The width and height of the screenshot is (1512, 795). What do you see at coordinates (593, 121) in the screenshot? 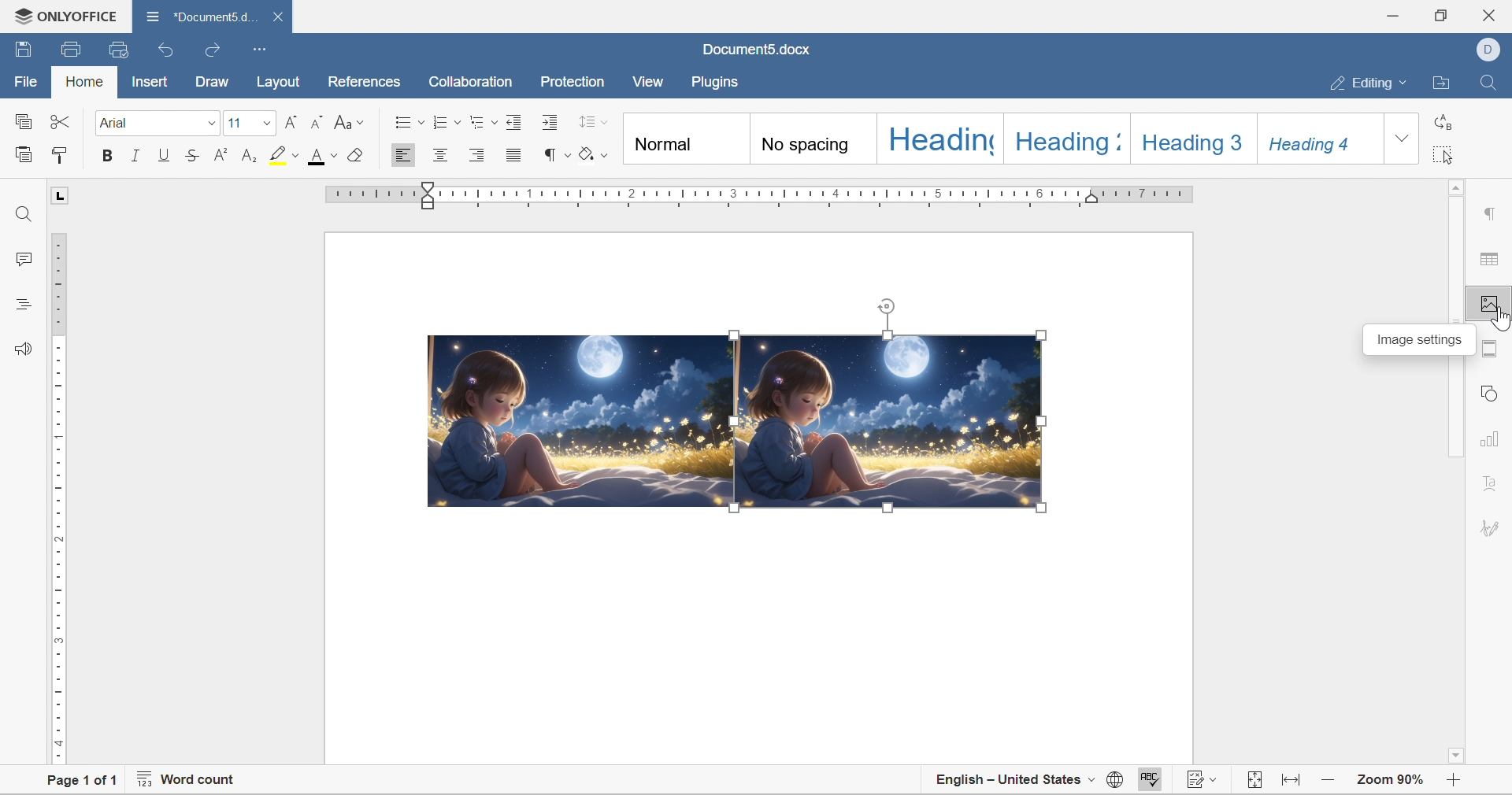
I see `line spacing` at bounding box center [593, 121].